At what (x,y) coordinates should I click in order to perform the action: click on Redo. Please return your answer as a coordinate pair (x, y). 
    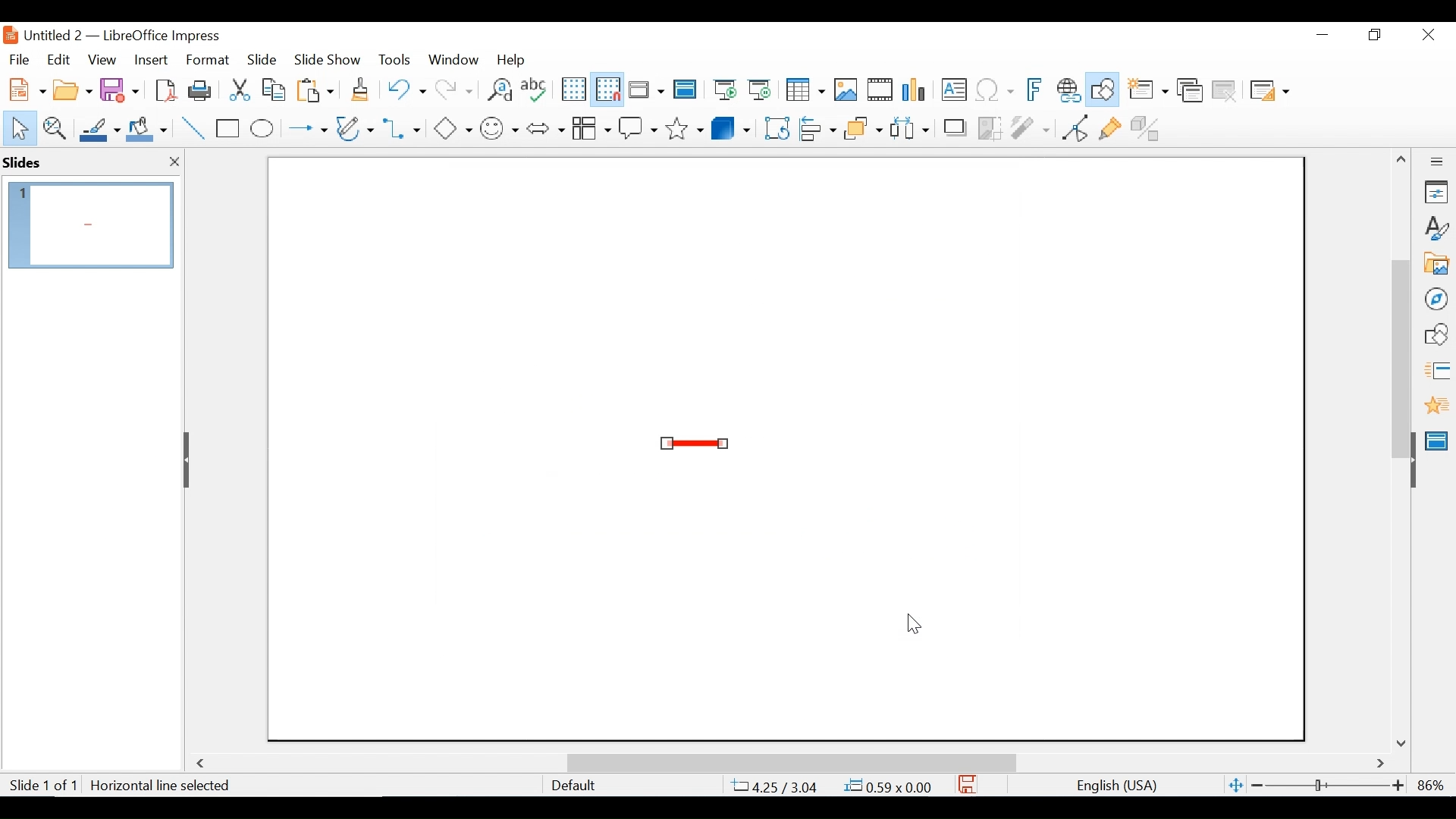
    Looking at the image, I should click on (452, 88).